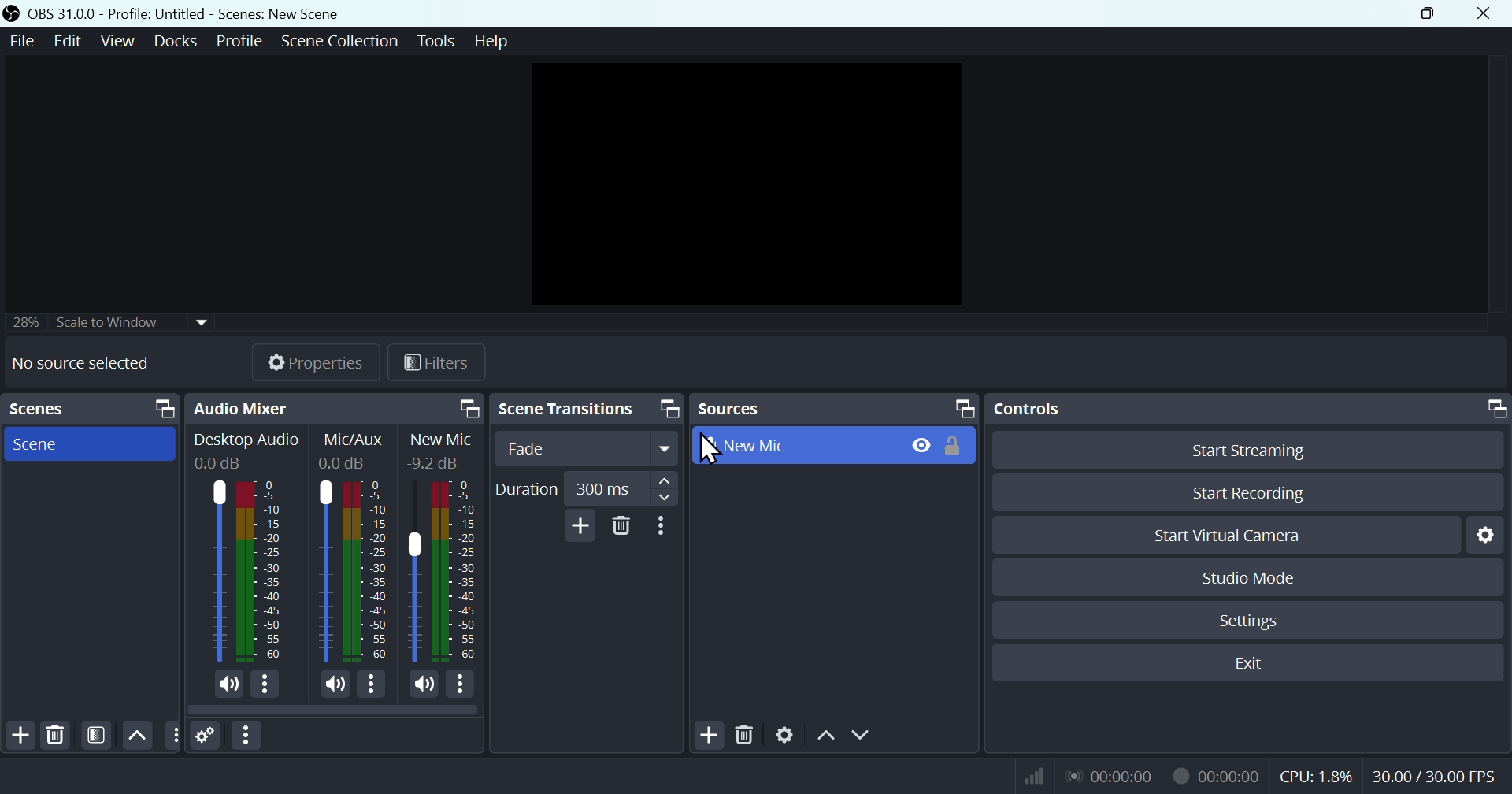 This screenshot has height=794, width=1512. I want to click on 0.0dB, so click(346, 466).